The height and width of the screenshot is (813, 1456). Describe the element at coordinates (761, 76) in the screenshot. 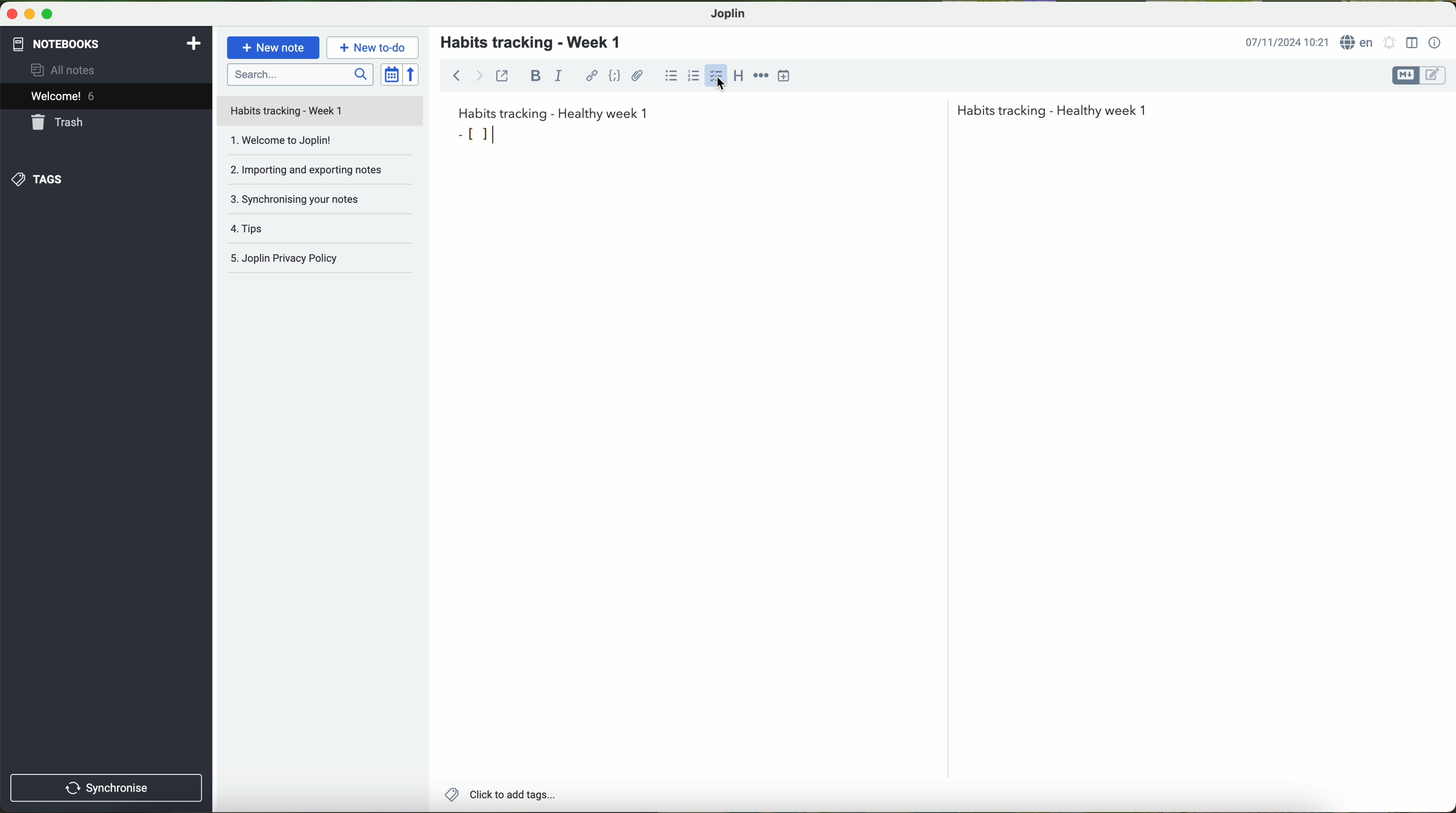

I see `horizontal rule` at that location.